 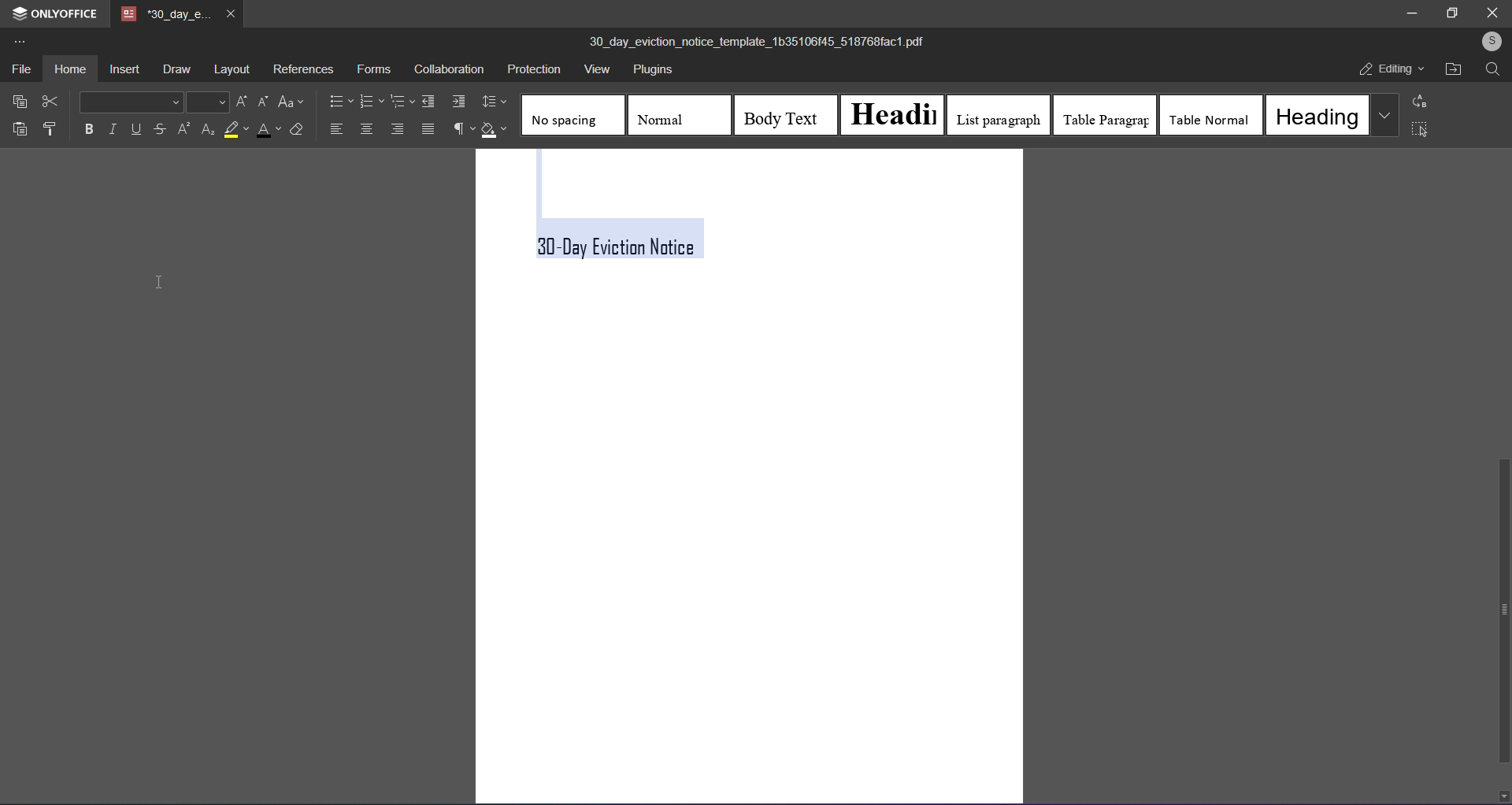 What do you see at coordinates (265, 131) in the screenshot?
I see `font color` at bounding box center [265, 131].